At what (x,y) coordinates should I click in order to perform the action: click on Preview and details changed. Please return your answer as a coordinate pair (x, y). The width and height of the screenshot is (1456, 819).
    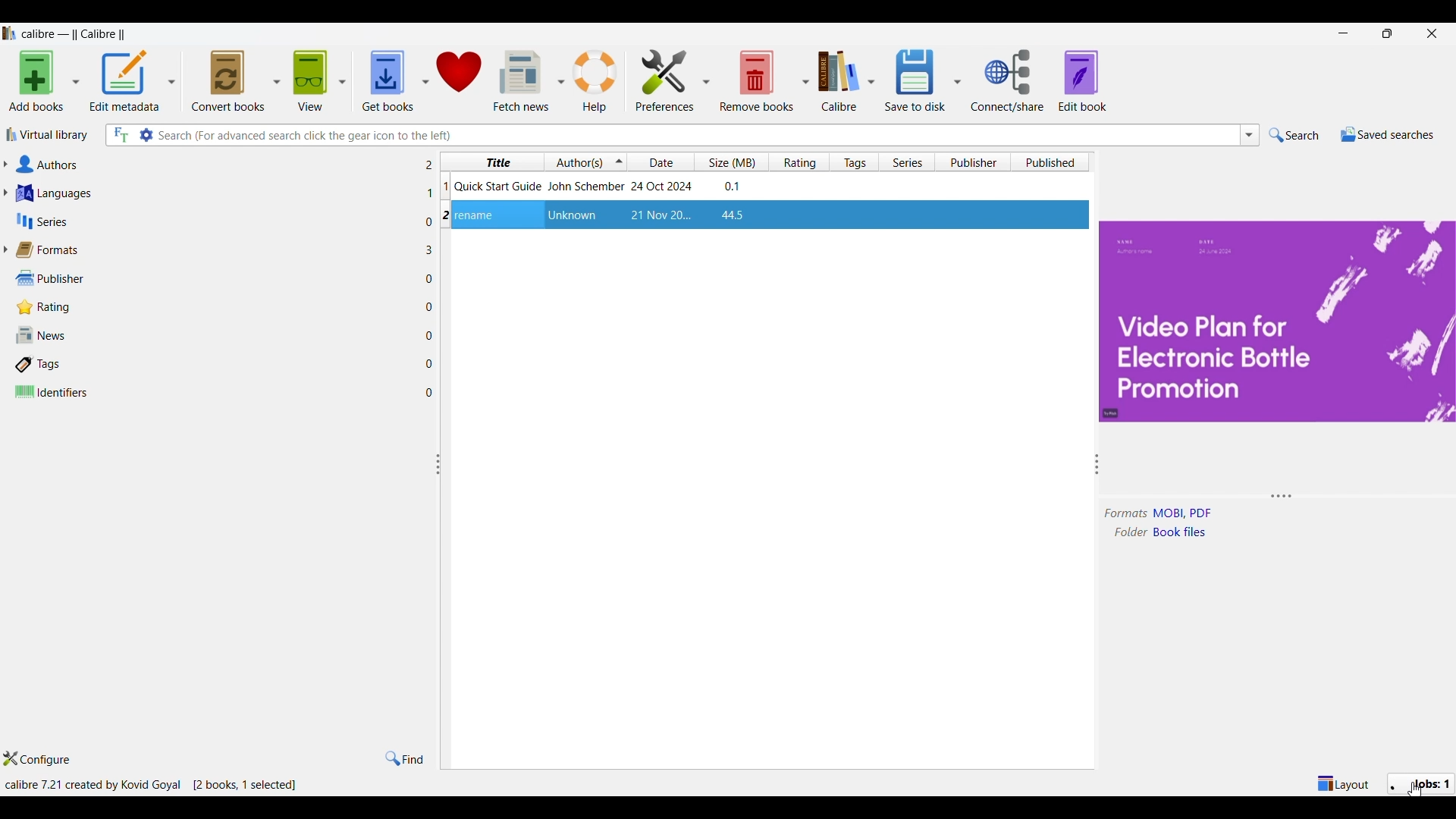
    Looking at the image, I should click on (1276, 321).